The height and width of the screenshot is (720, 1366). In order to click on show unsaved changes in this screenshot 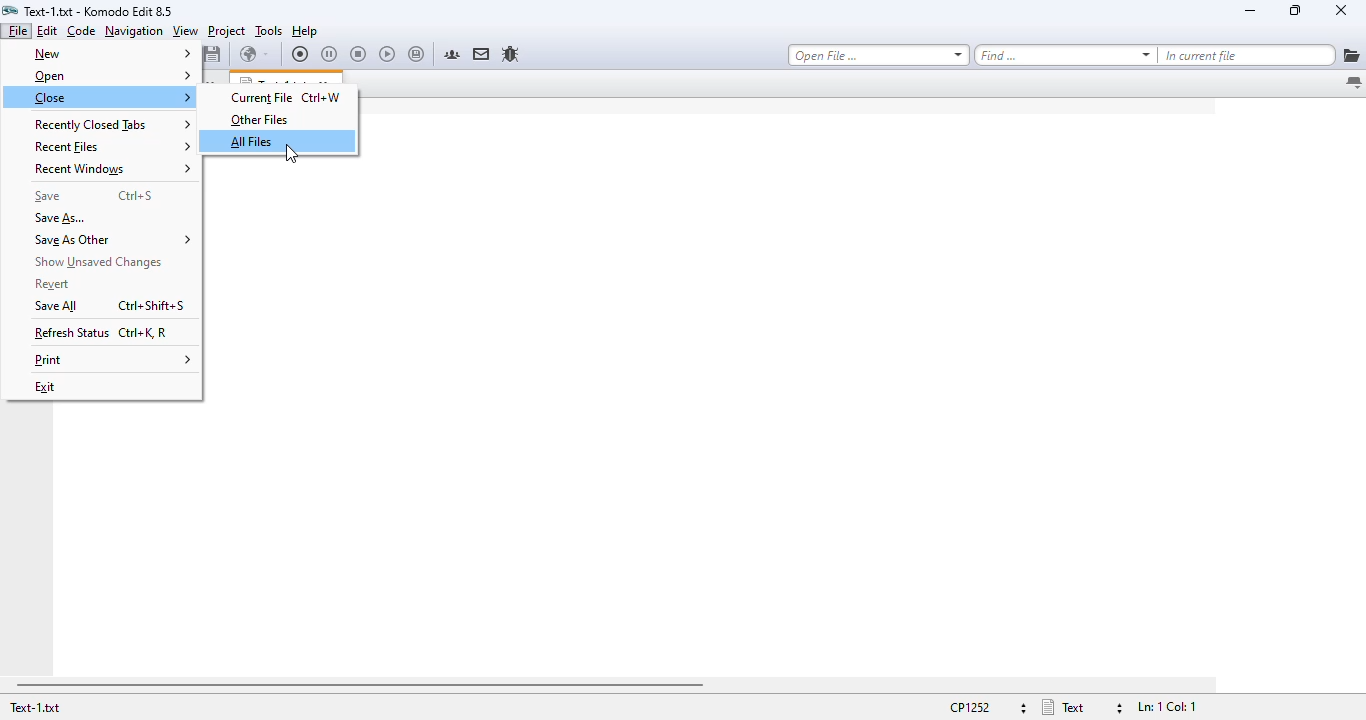, I will do `click(101, 262)`.